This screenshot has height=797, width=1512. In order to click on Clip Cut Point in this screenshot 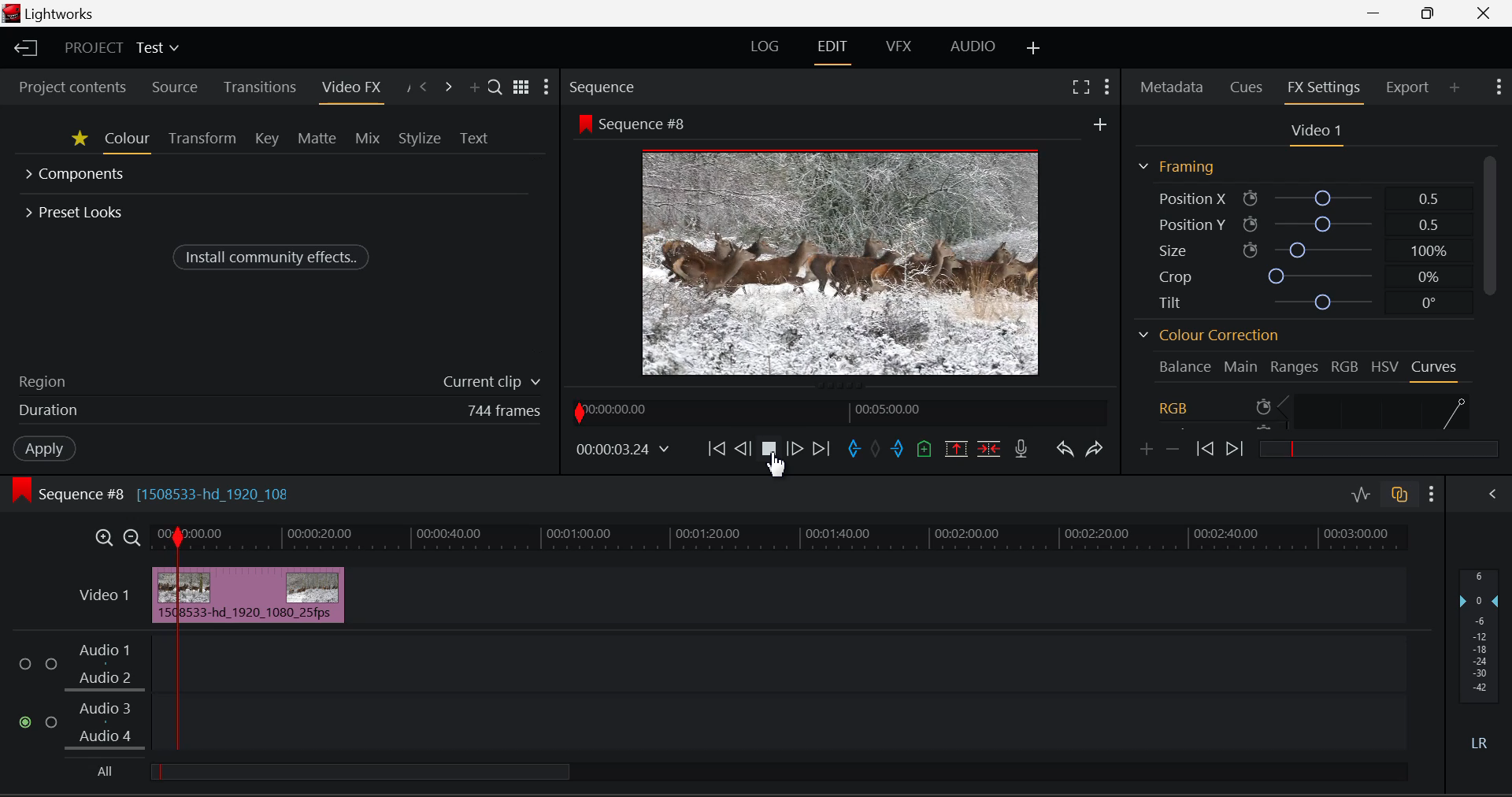, I will do `click(179, 636)`.